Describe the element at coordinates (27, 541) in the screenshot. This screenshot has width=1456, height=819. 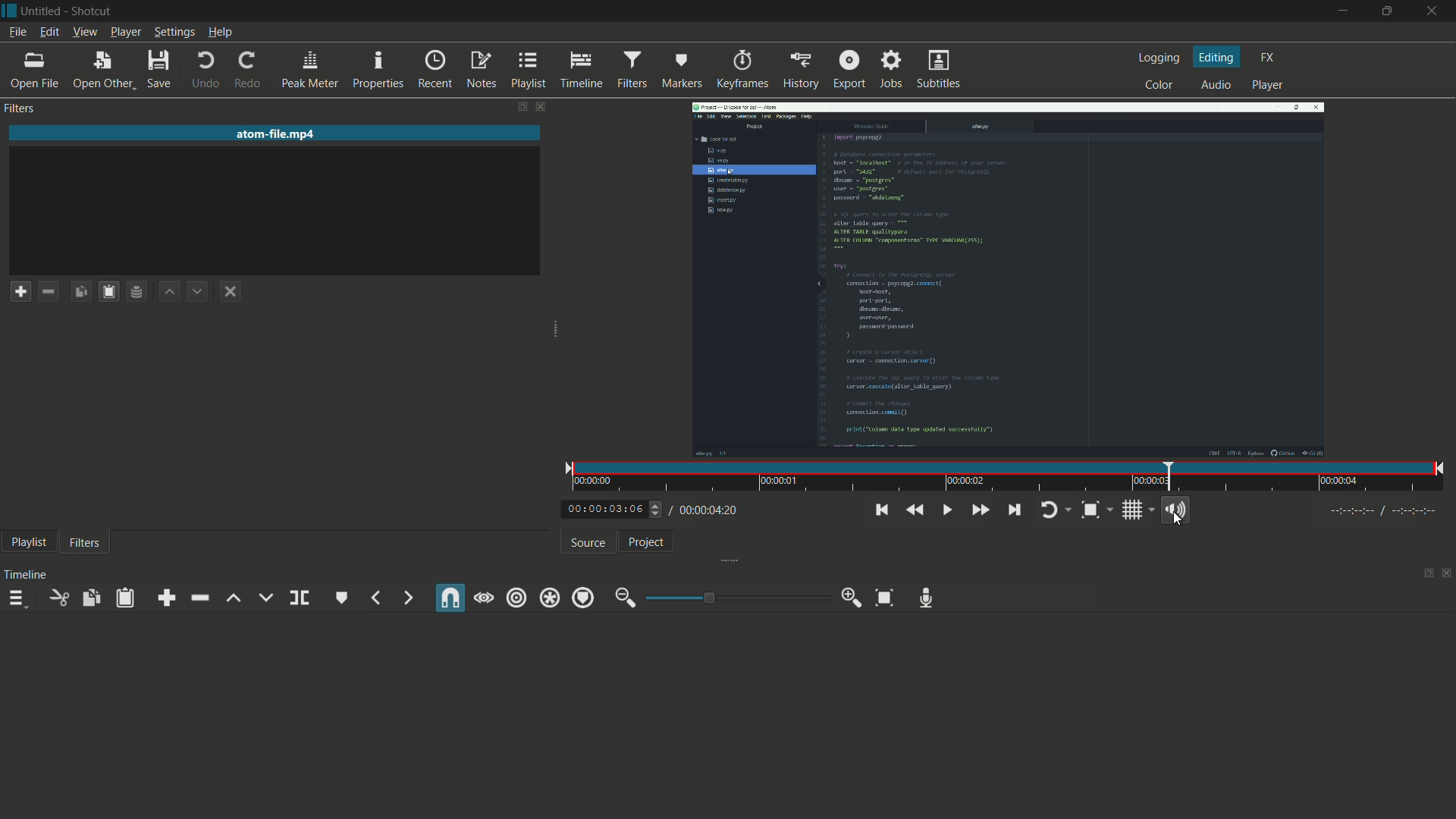
I see `playlist` at that location.